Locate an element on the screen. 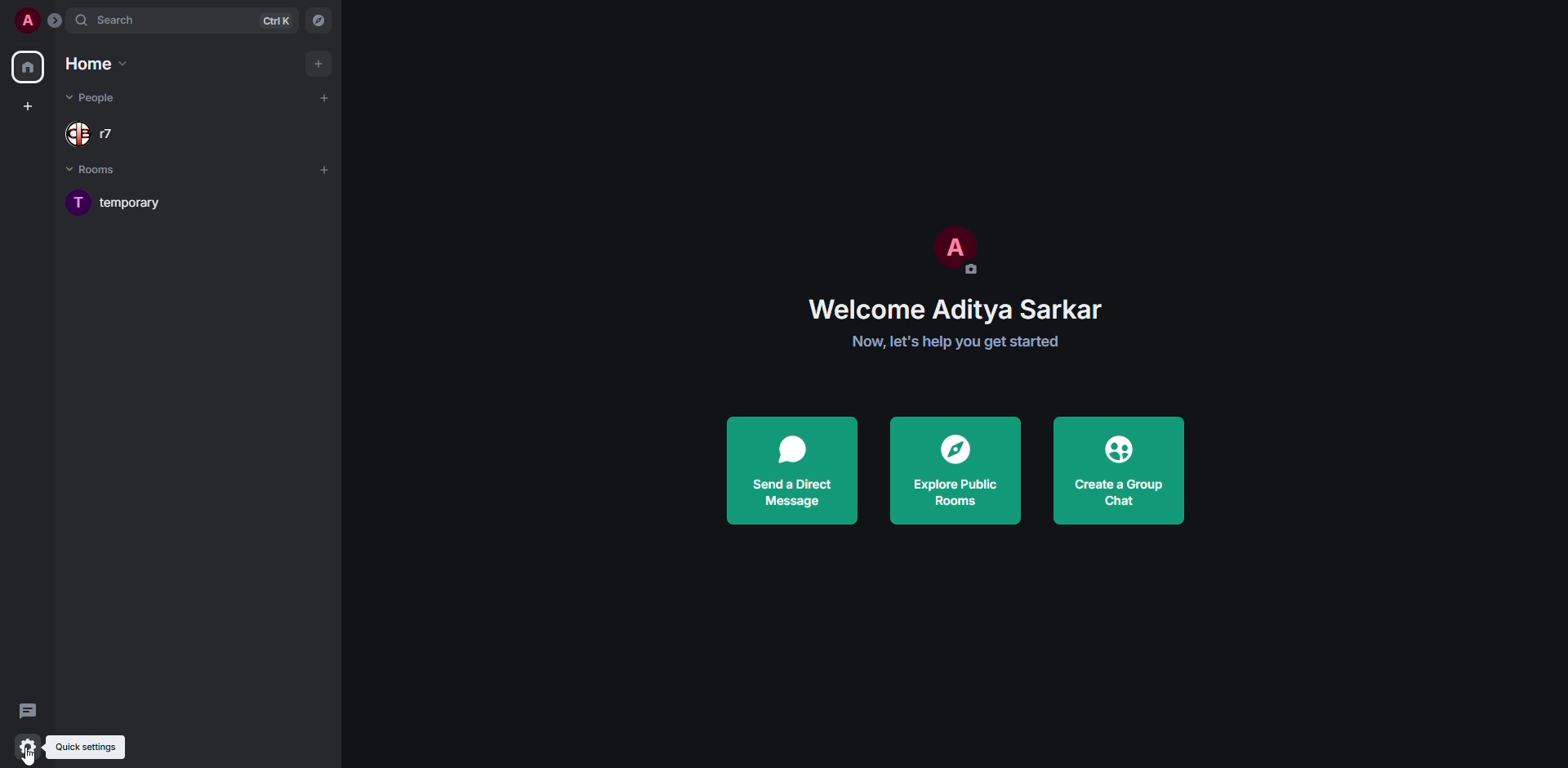 This screenshot has height=768, width=1568. get started is located at coordinates (954, 342).